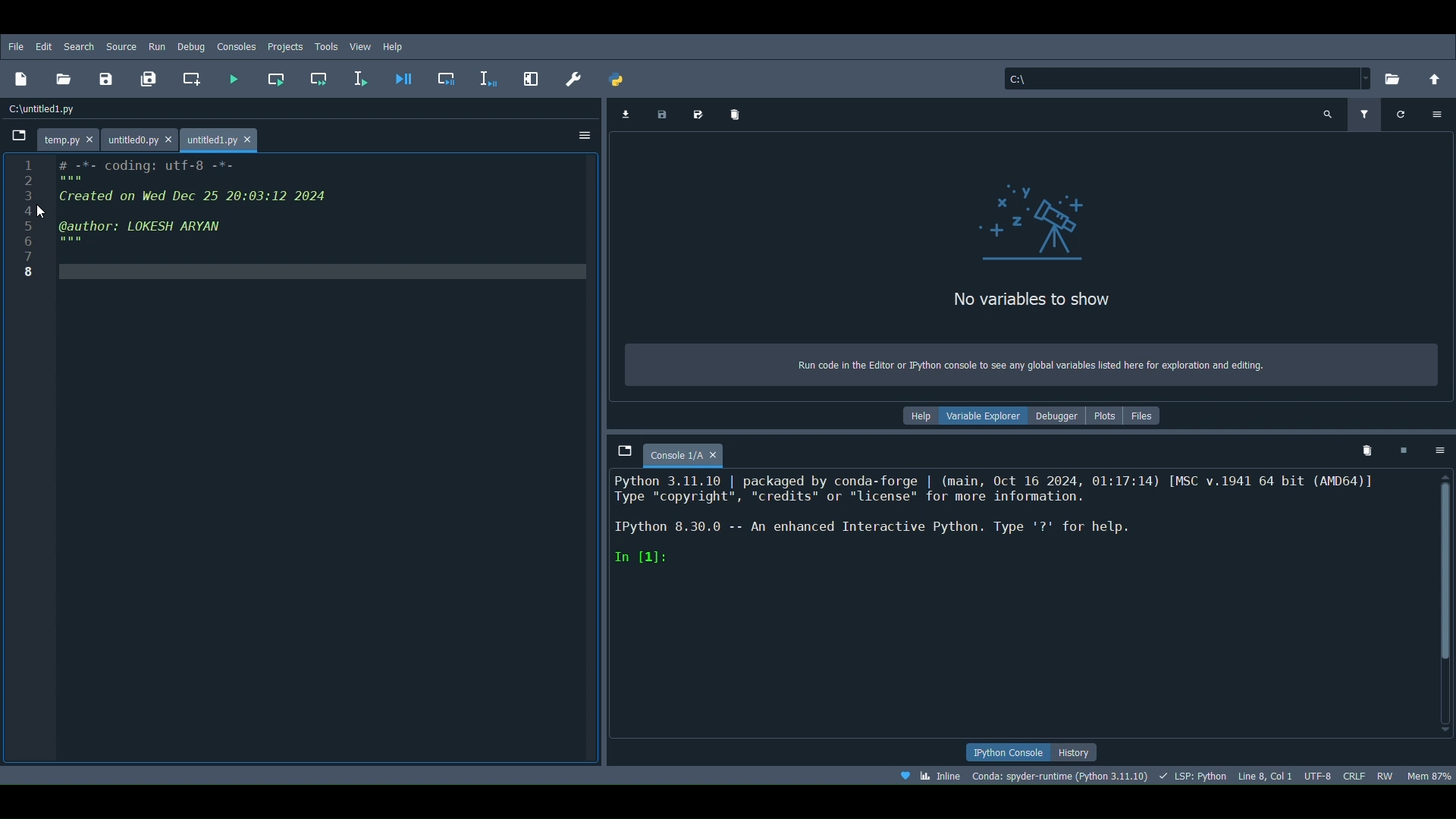 The height and width of the screenshot is (819, 1456). What do you see at coordinates (1447, 604) in the screenshot?
I see `Scrollbar` at bounding box center [1447, 604].